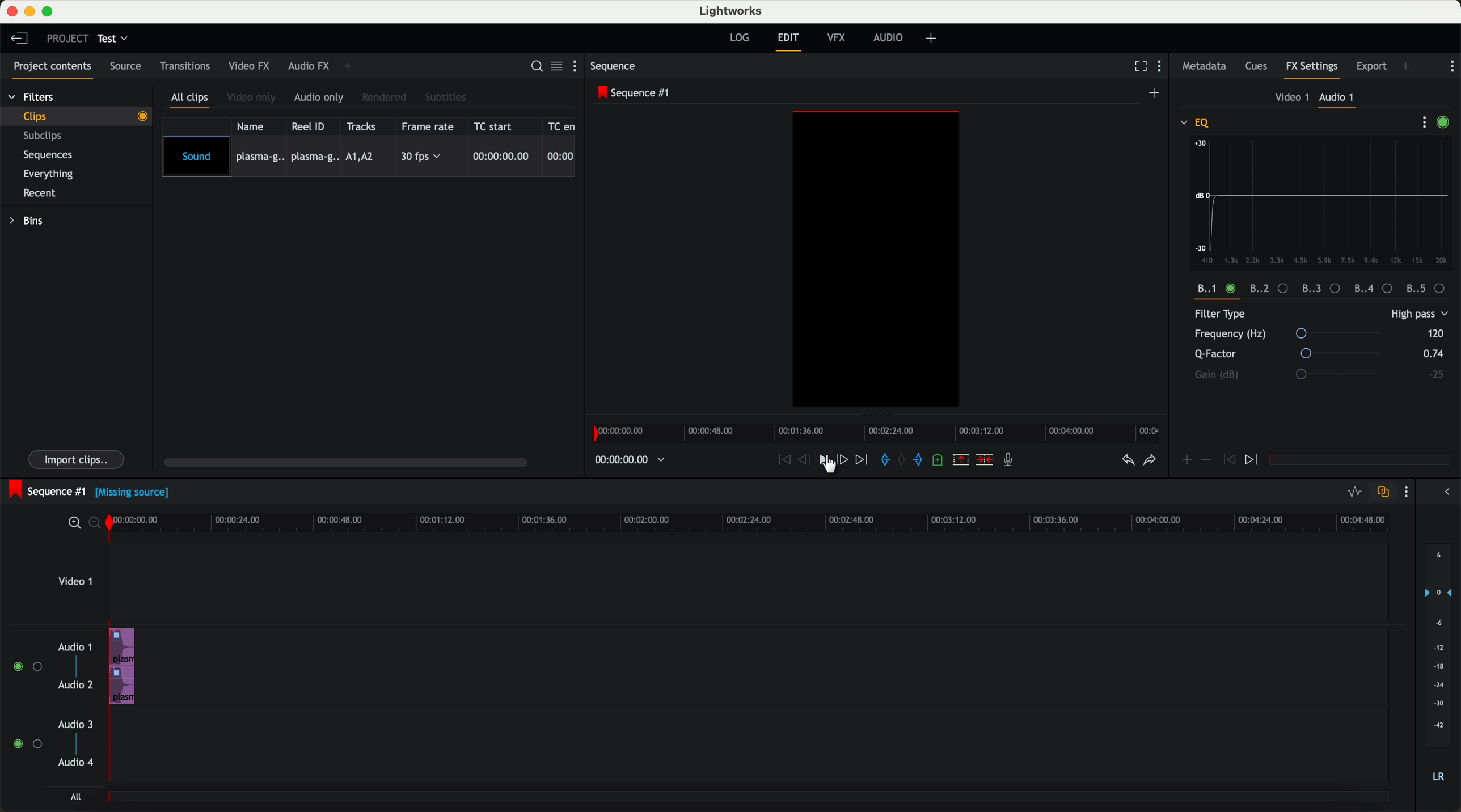  What do you see at coordinates (1253, 460) in the screenshot?
I see `jump to next keyframe` at bounding box center [1253, 460].